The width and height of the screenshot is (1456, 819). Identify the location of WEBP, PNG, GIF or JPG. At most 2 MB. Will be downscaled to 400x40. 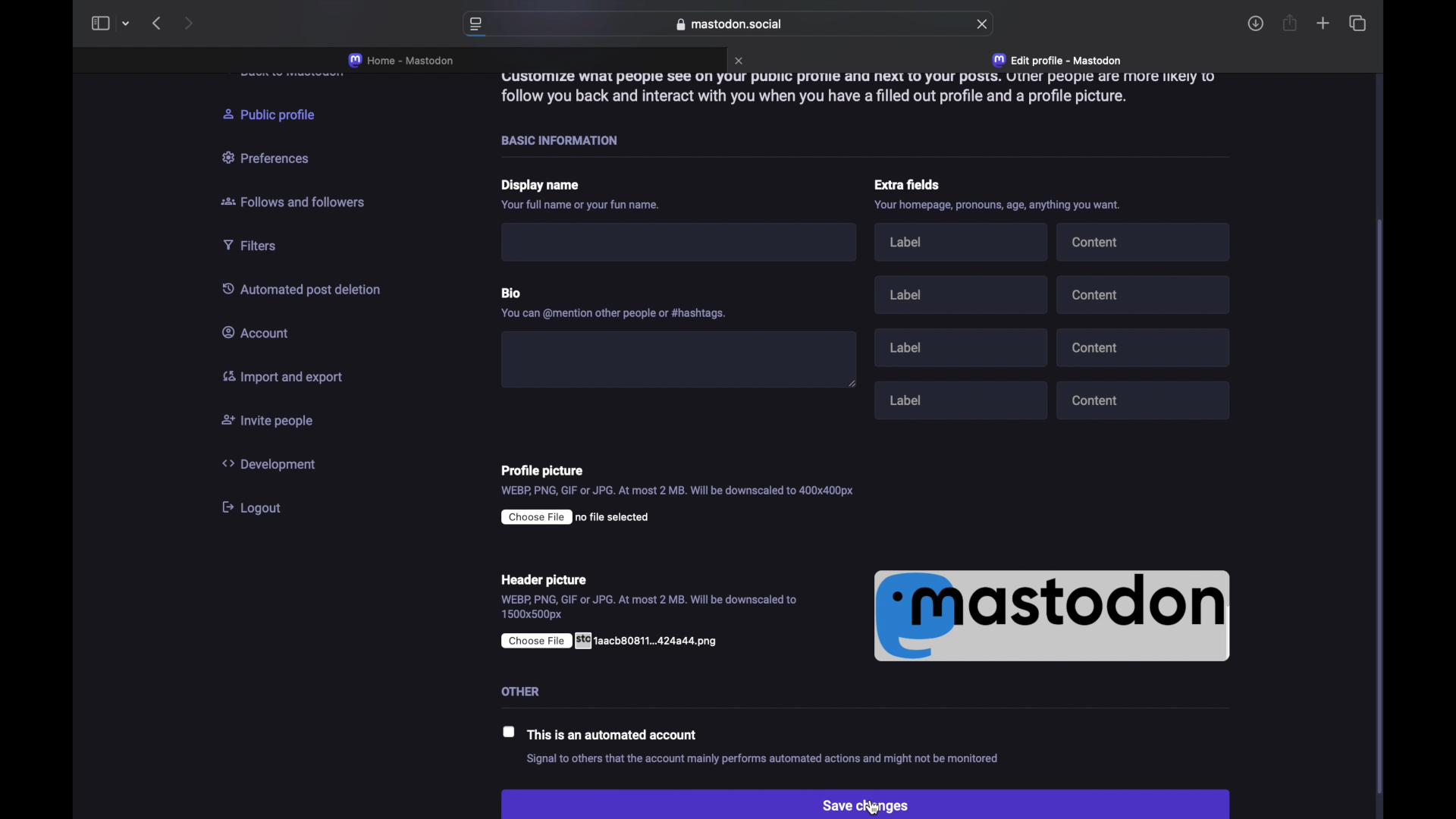
(676, 493).